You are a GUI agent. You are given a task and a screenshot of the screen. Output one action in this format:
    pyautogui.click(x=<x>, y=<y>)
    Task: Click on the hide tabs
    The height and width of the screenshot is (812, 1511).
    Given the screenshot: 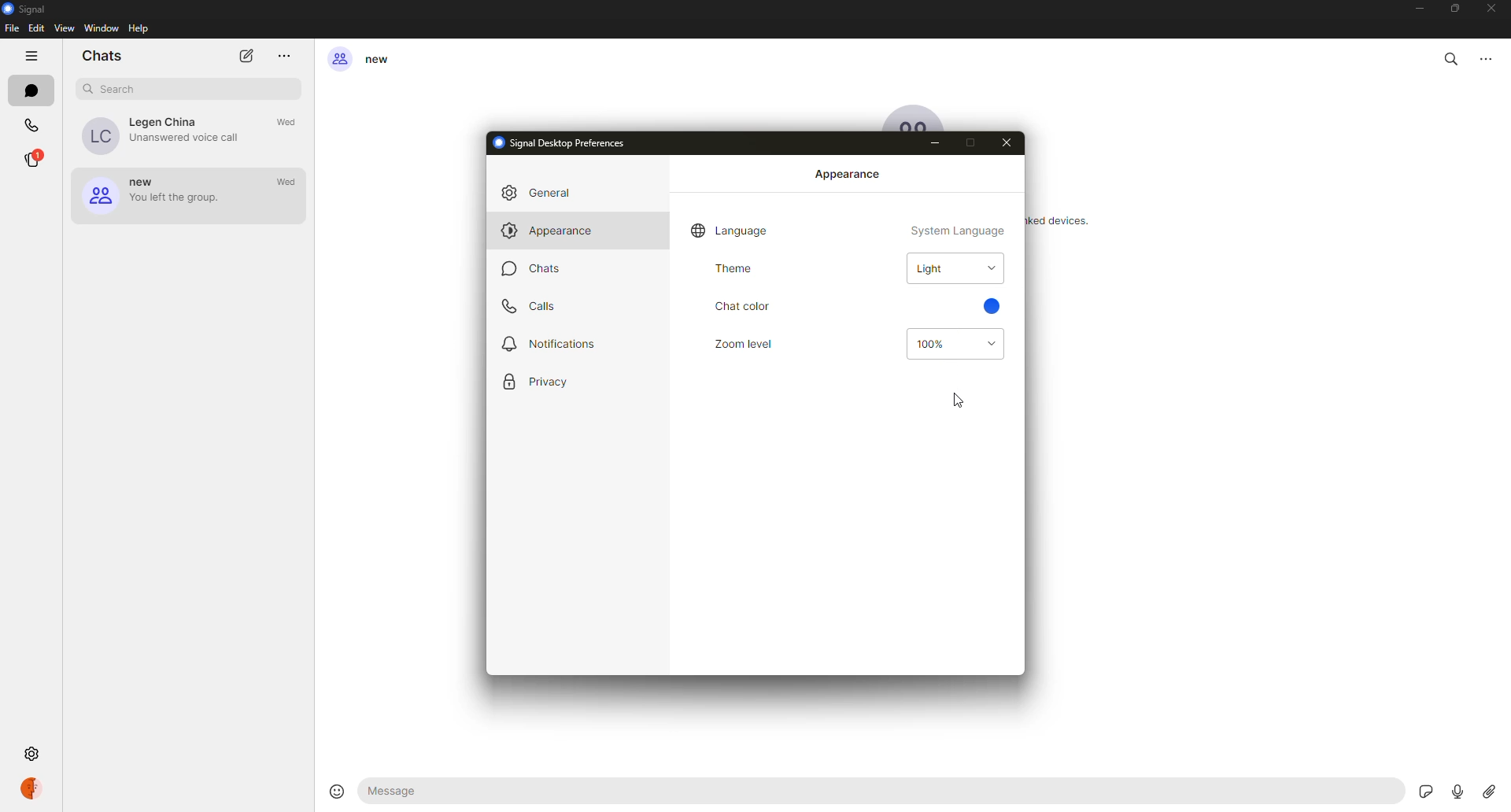 What is the action you would take?
    pyautogui.click(x=35, y=57)
    